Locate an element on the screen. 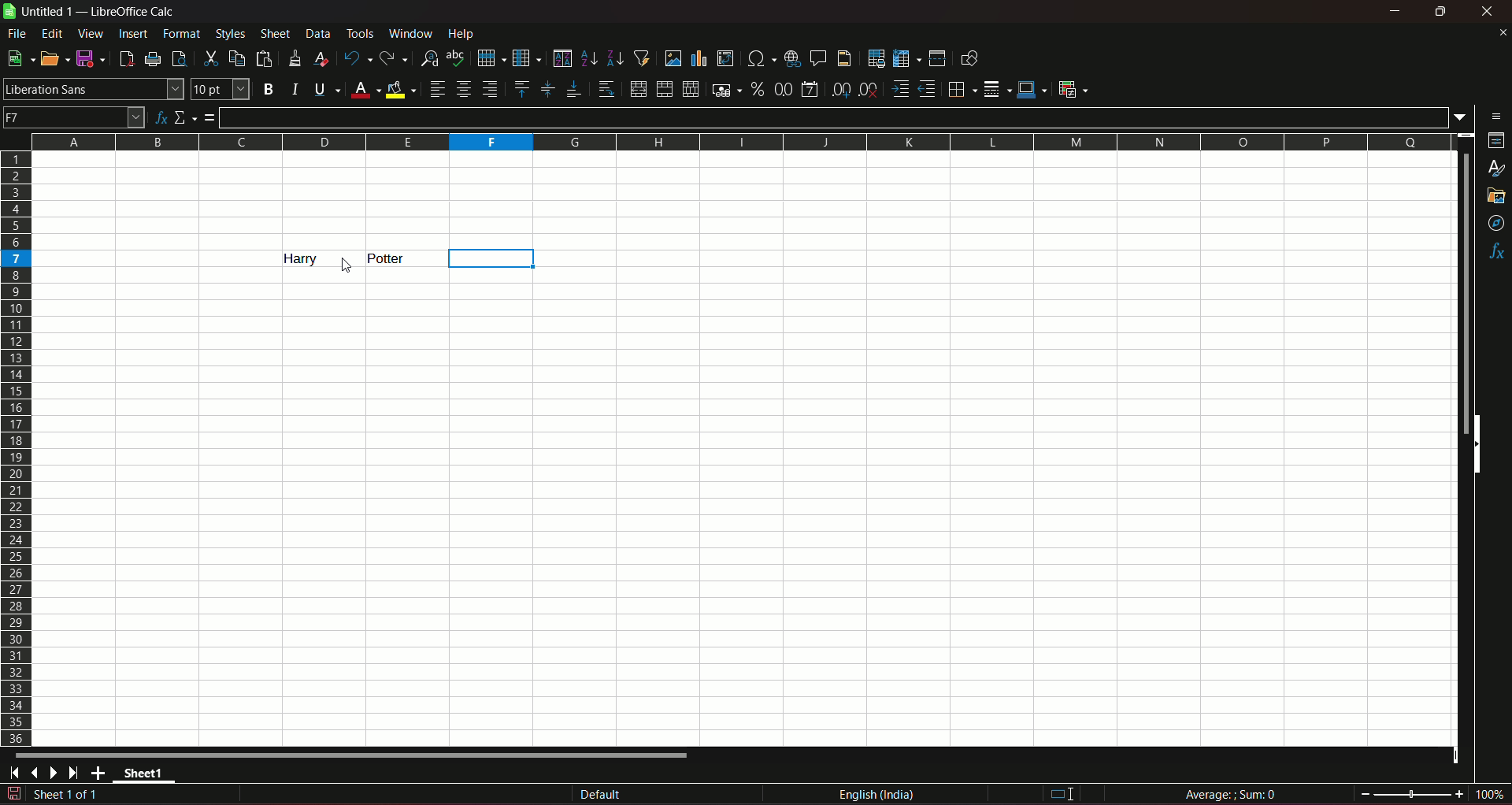  name box is located at coordinates (74, 116).